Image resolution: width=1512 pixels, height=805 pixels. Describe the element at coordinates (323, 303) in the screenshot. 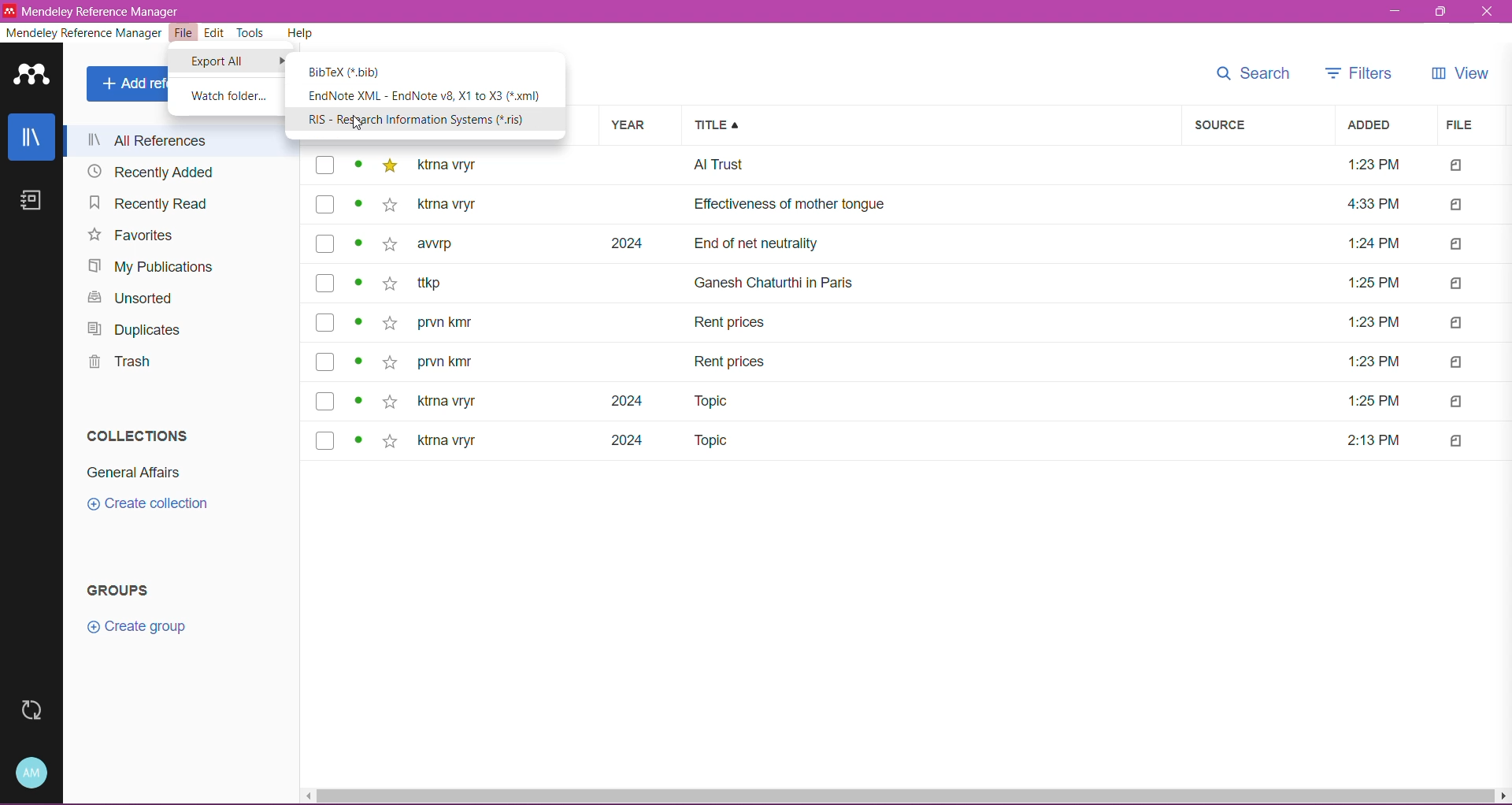

I see `Click to select Items` at that location.